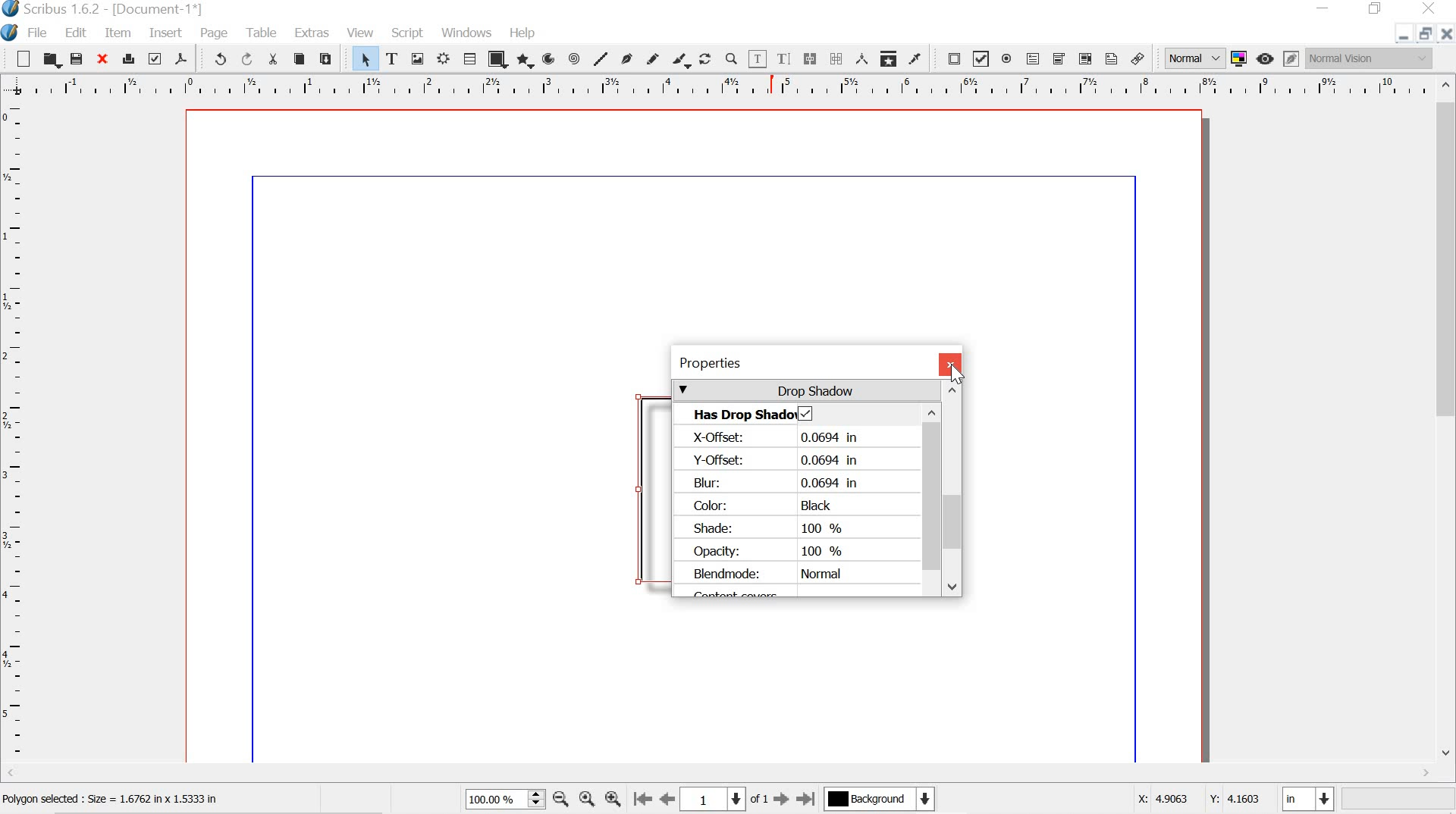 This screenshot has width=1456, height=814. I want to click on zoom out, so click(560, 800).